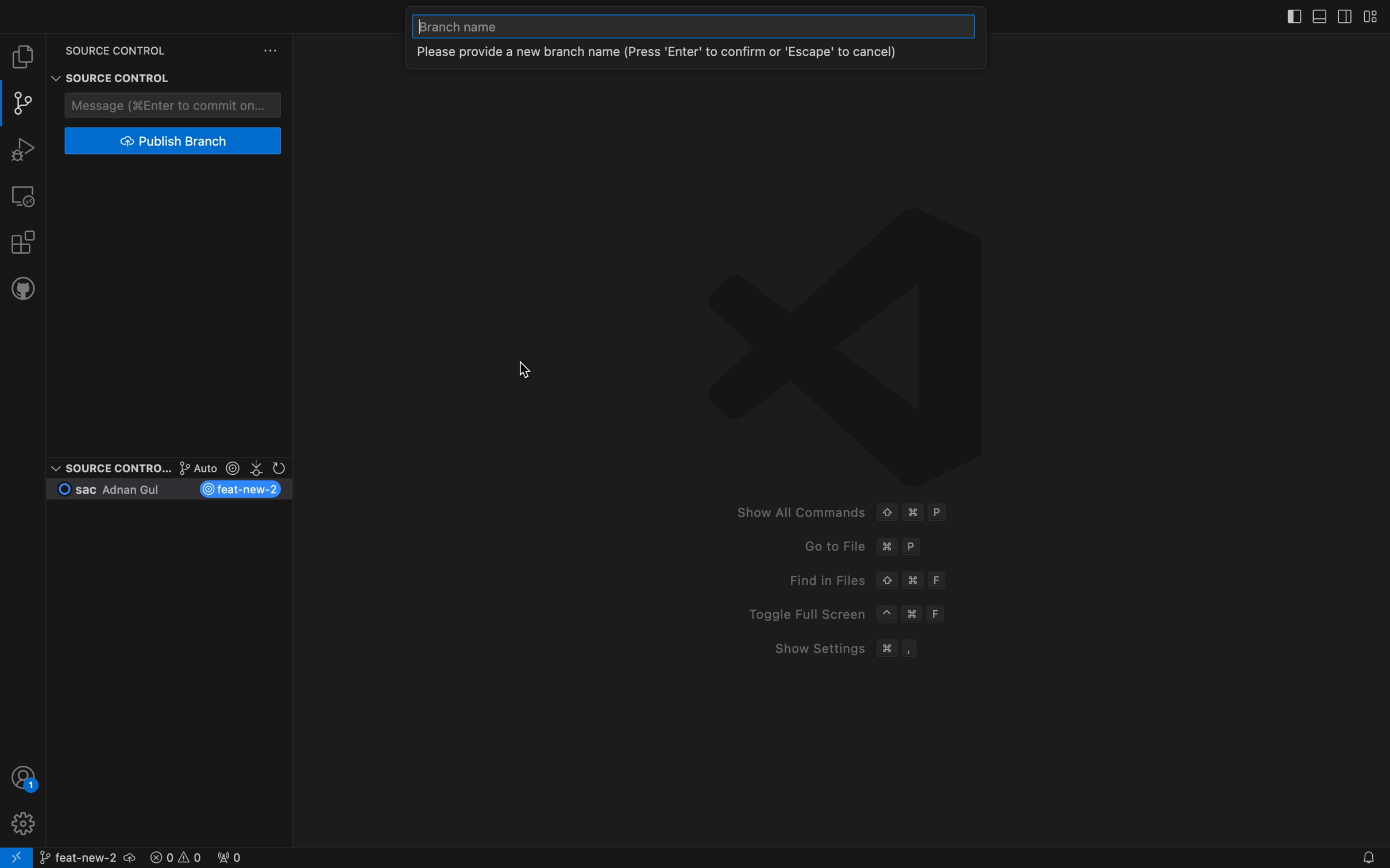 Image resolution: width=1390 pixels, height=868 pixels. I want to click on F, so click(940, 614).